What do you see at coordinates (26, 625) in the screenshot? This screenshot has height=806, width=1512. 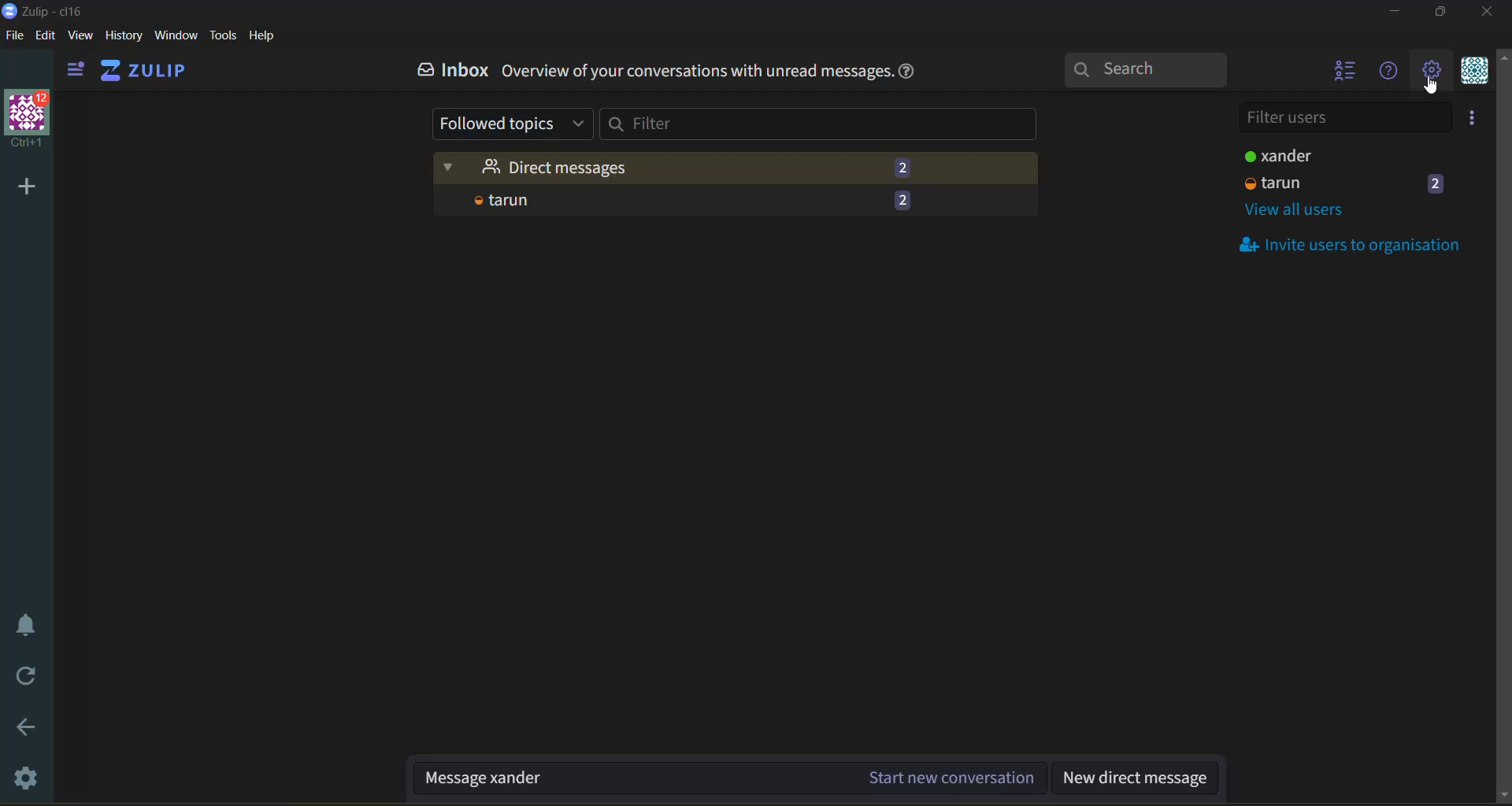 I see `enable do not disturb` at bounding box center [26, 625].